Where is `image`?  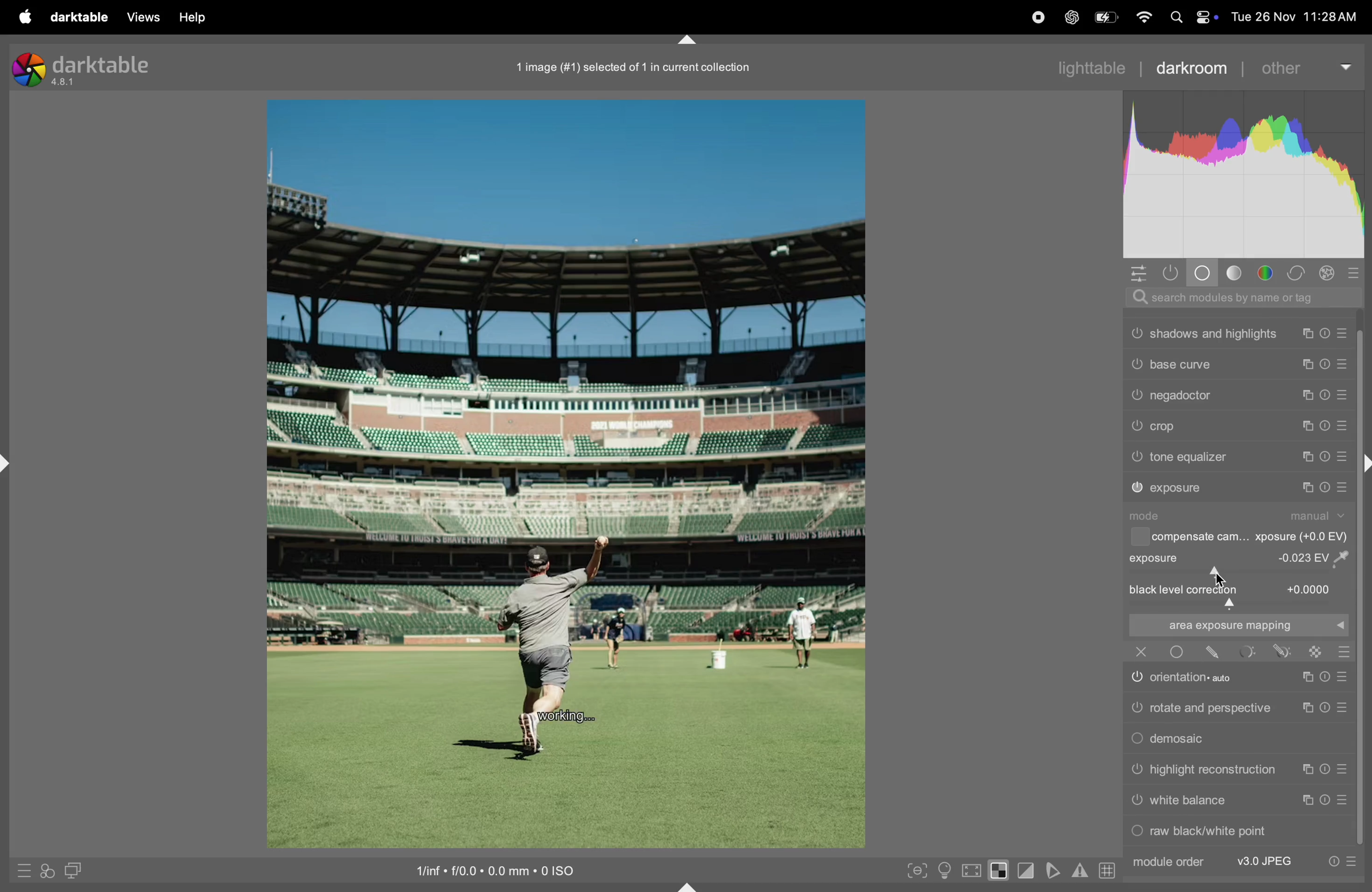 image is located at coordinates (564, 474).